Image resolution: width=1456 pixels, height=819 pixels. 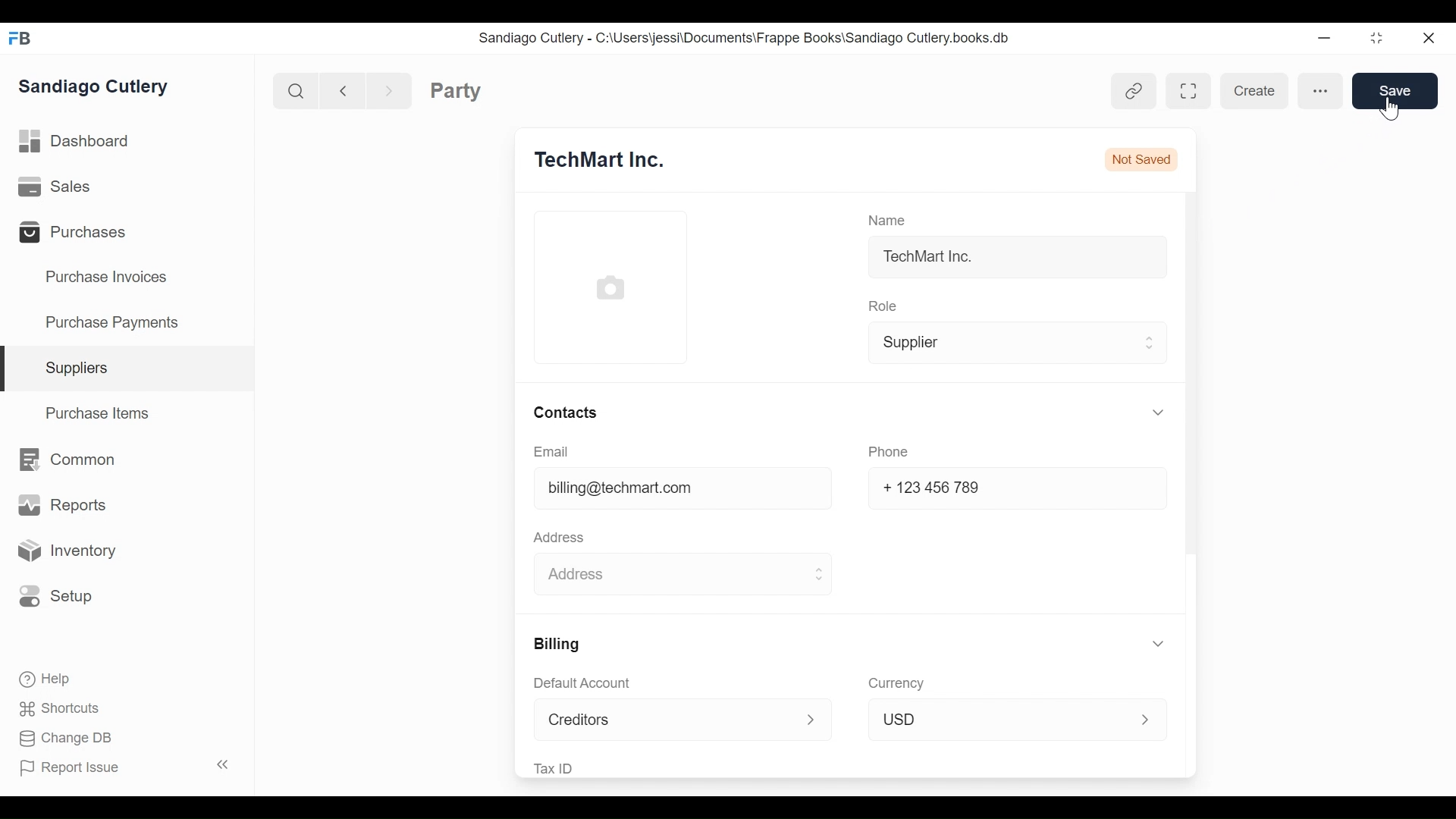 I want to click on Sandiago Cutlery, so click(x=99, y=88).